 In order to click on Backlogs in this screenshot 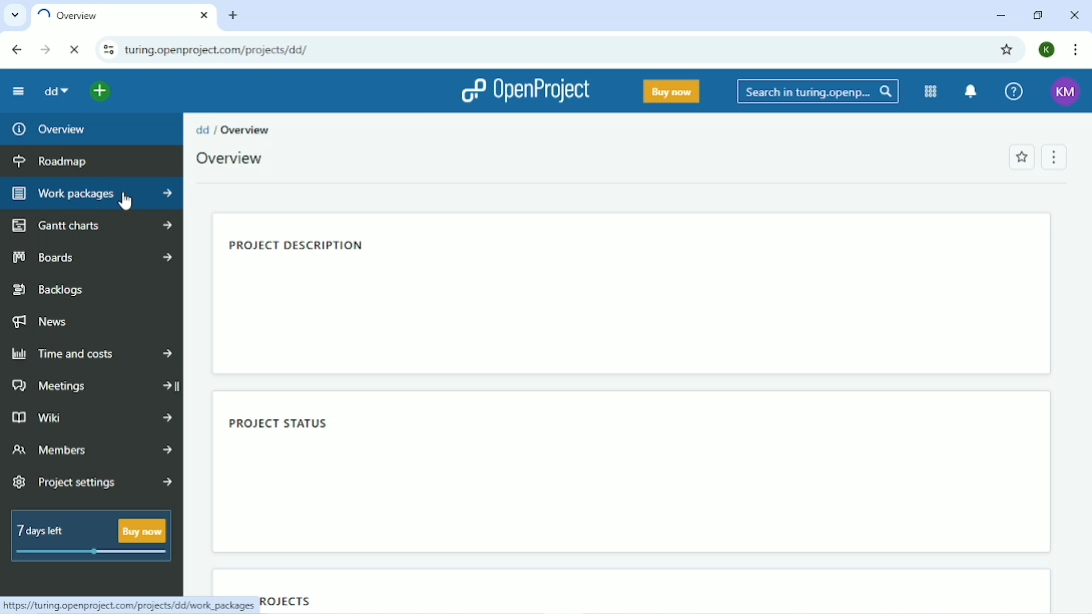, I will do `click(57, 289)`.